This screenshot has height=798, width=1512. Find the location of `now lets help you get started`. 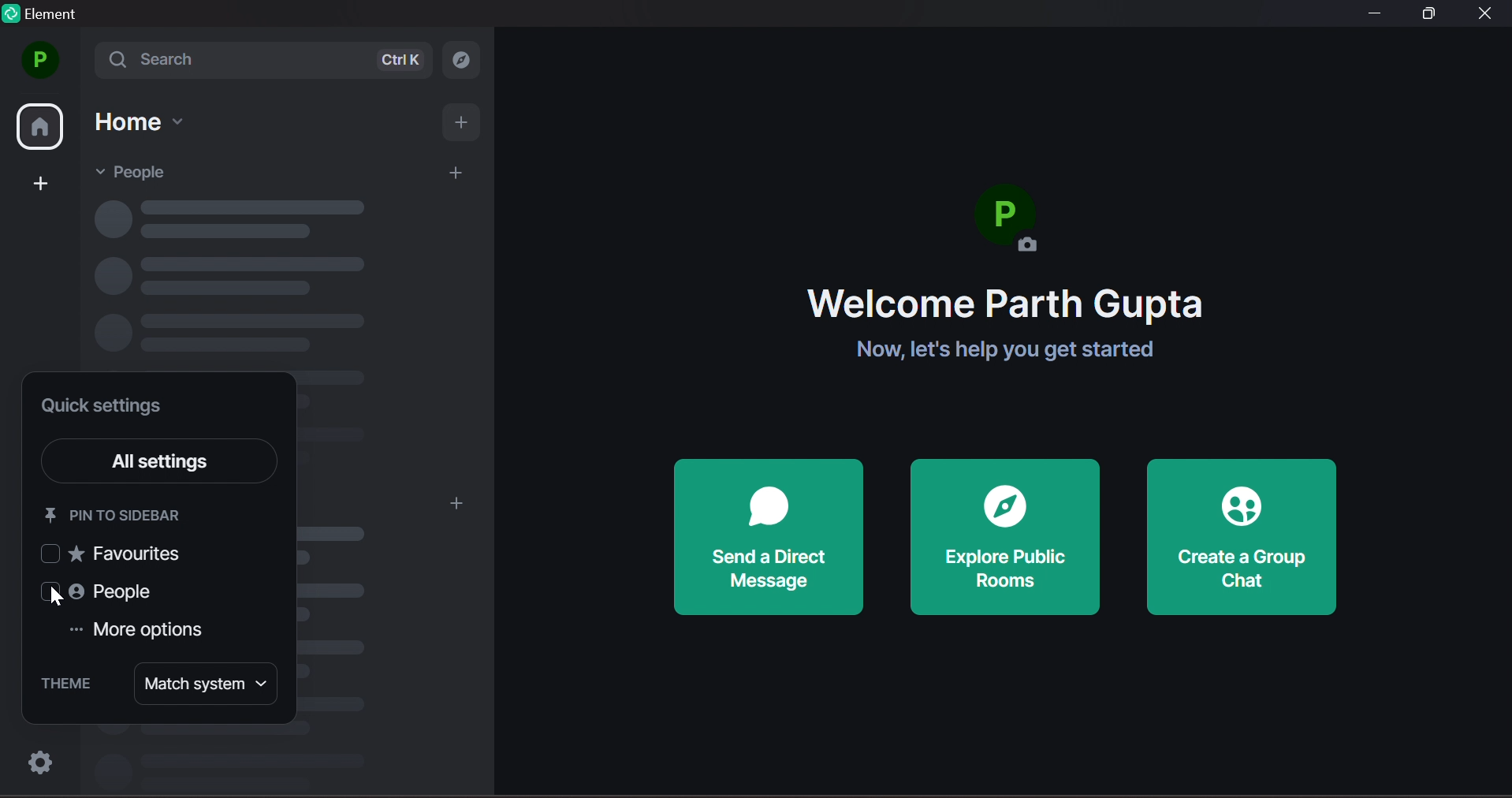

now lets help you get started is located at coordinates (994, 351).